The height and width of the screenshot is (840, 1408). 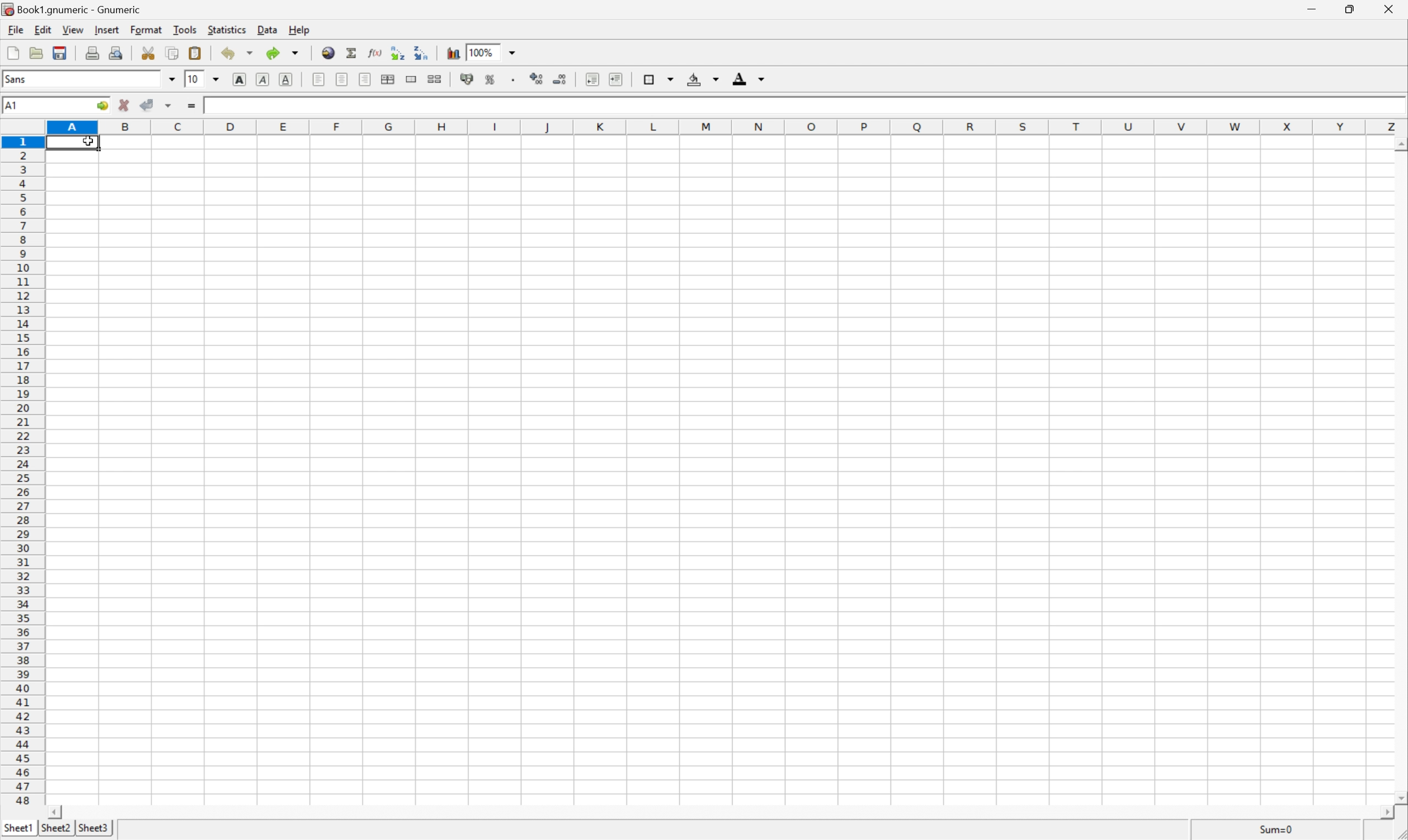 What do you see at coordinates (1281, 830) in the screenshot?
I see `sum=0` at bounding box center [1281, 830].